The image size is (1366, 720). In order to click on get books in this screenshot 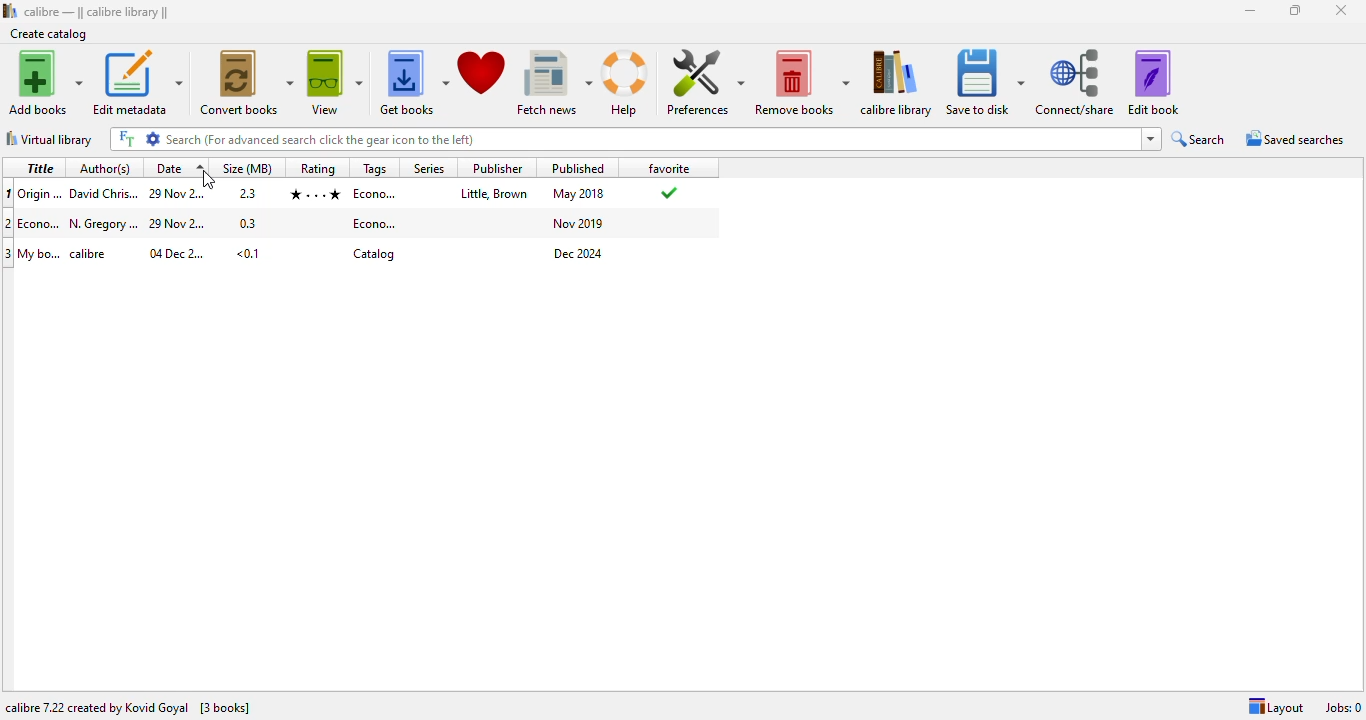, I will do `click(413, 83)`.